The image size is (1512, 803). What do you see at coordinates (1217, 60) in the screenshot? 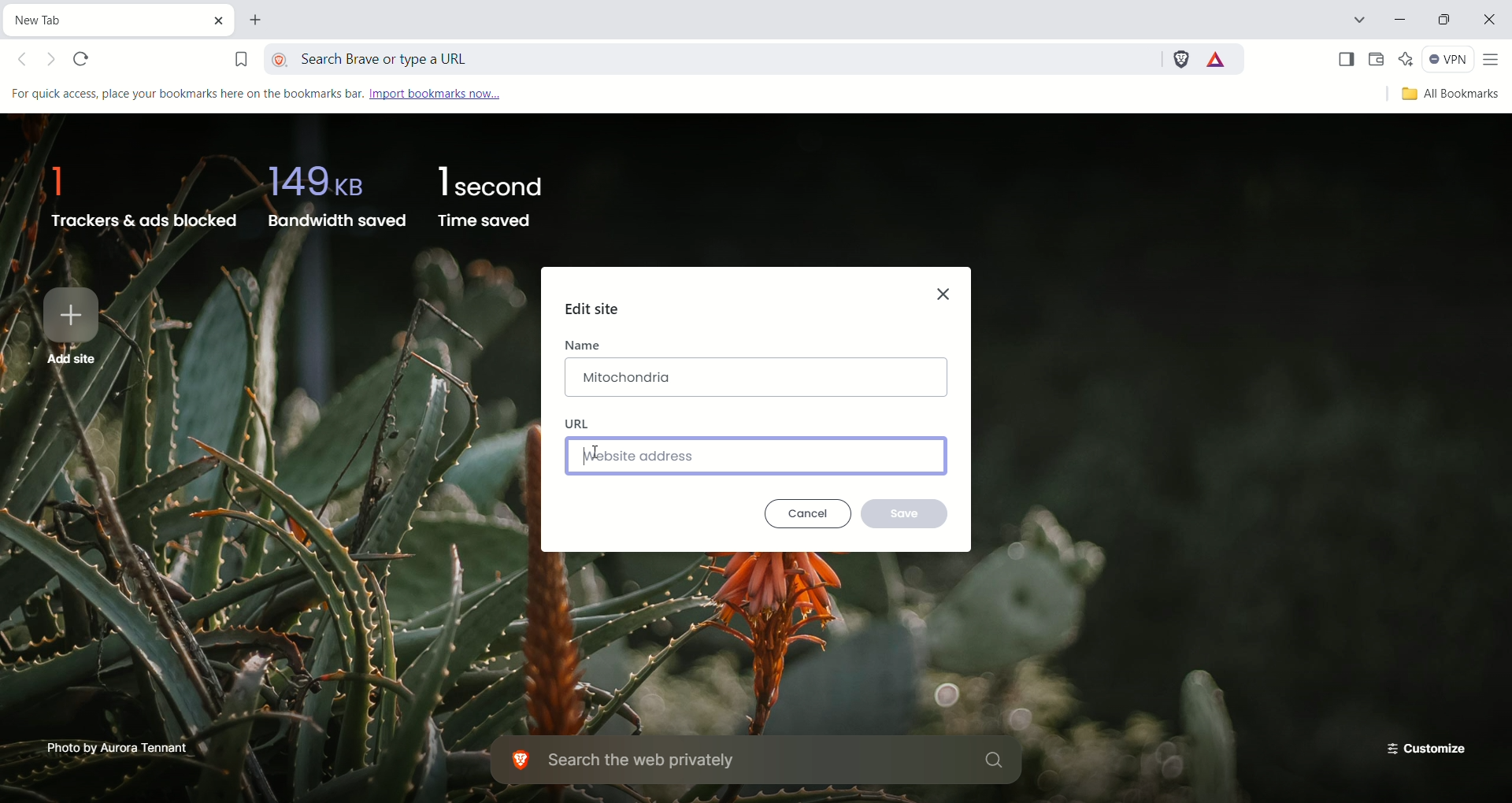
I see `rewards` at bounding box center [1217, 60].